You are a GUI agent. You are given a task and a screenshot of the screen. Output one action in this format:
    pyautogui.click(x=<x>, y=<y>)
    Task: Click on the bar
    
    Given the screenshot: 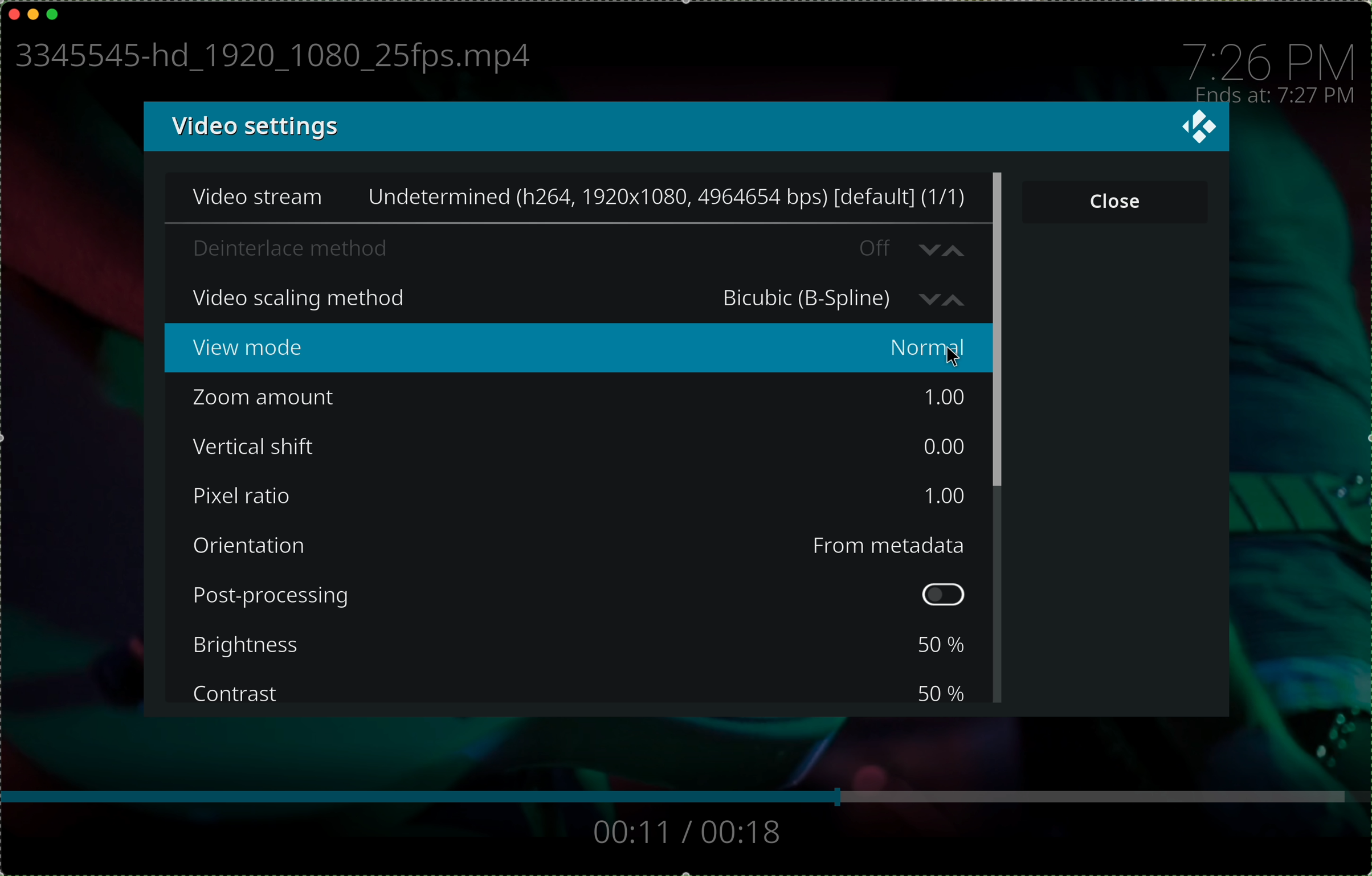 What is the action you would take?
    pyautogui.click(x=684, y=796)
    